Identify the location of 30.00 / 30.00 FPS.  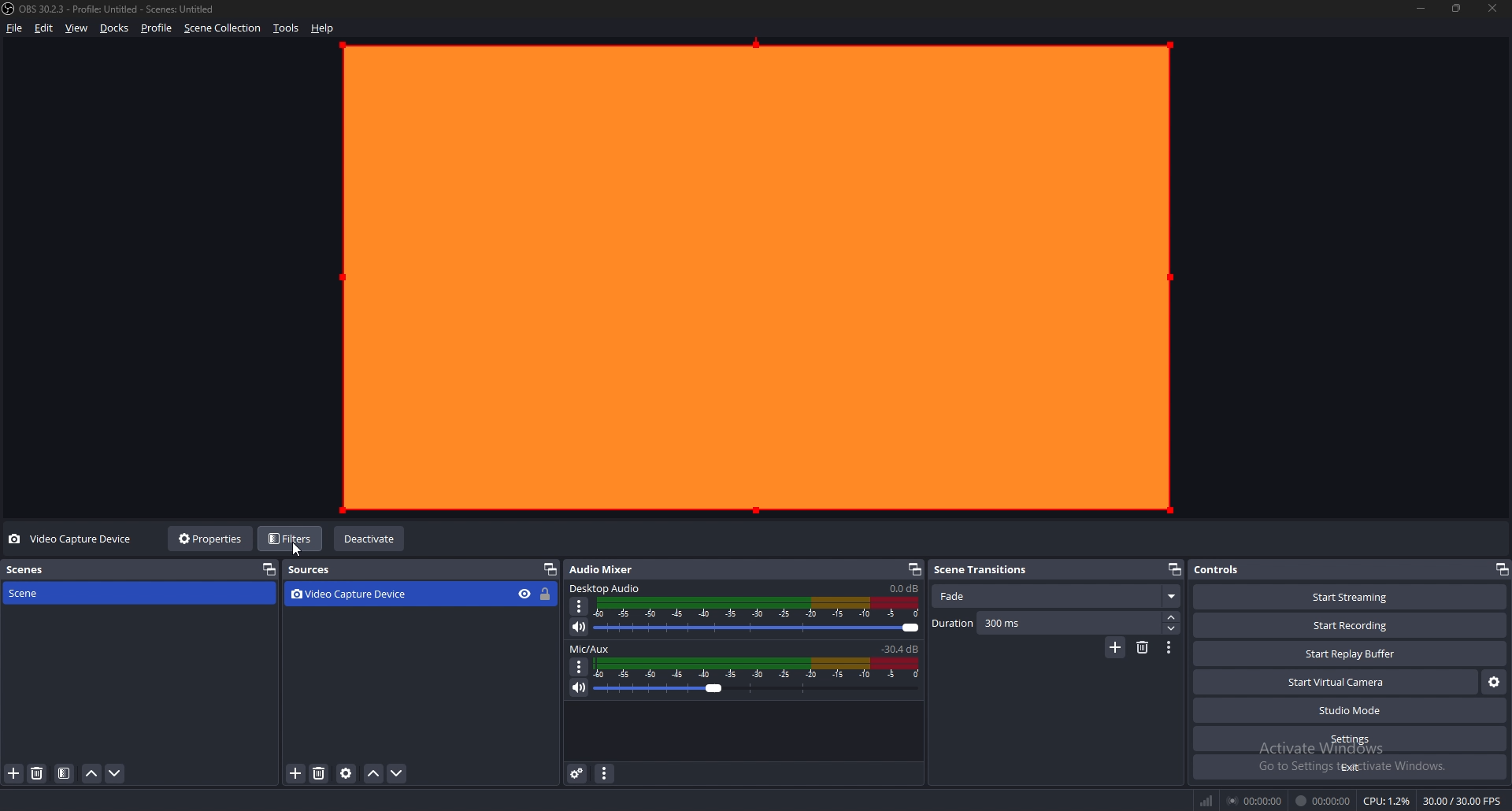
(1463, 800).